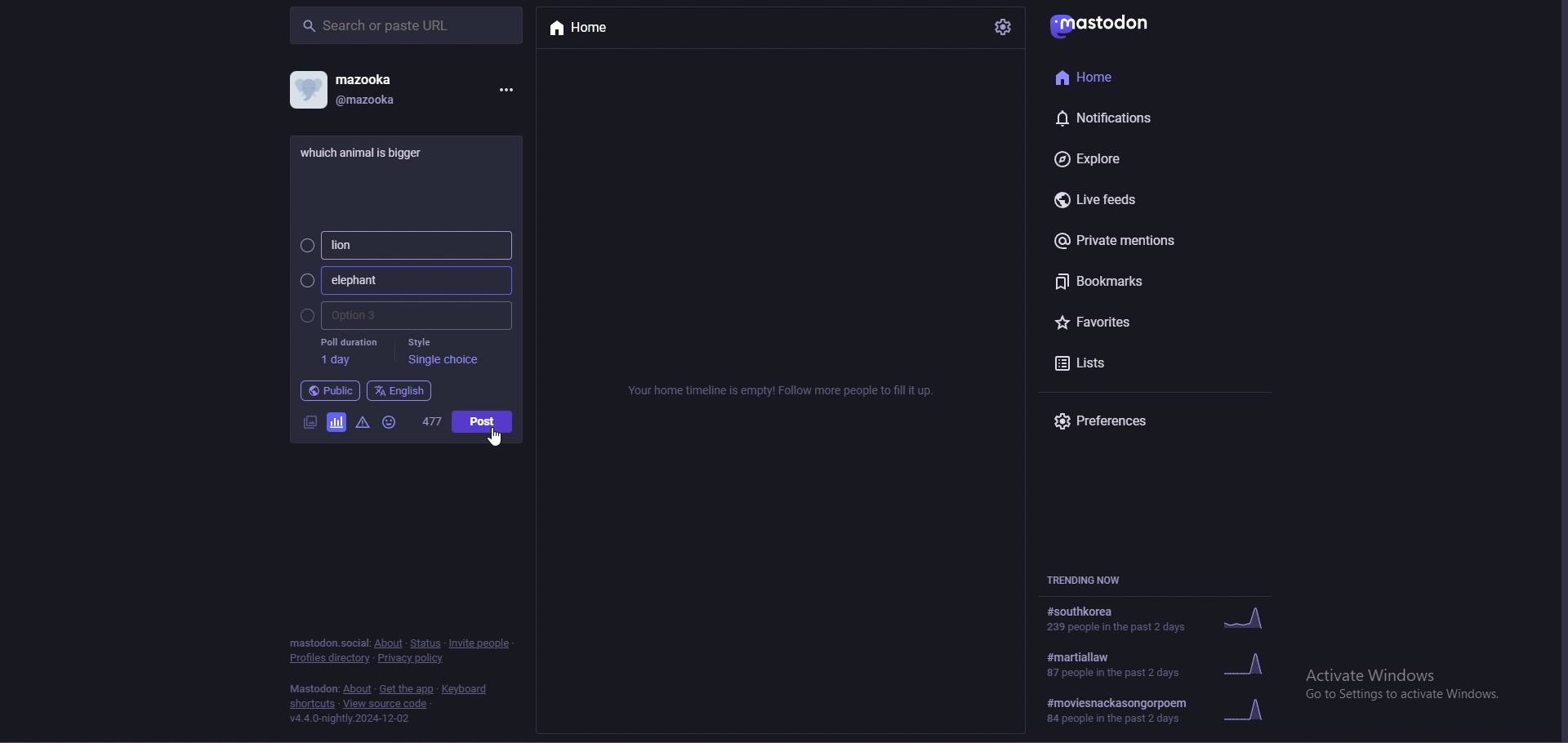 The image size is (1568, 743). Describe the element at coordinates (329, 659) in the screenshot. I see `profiles directory` at that location.